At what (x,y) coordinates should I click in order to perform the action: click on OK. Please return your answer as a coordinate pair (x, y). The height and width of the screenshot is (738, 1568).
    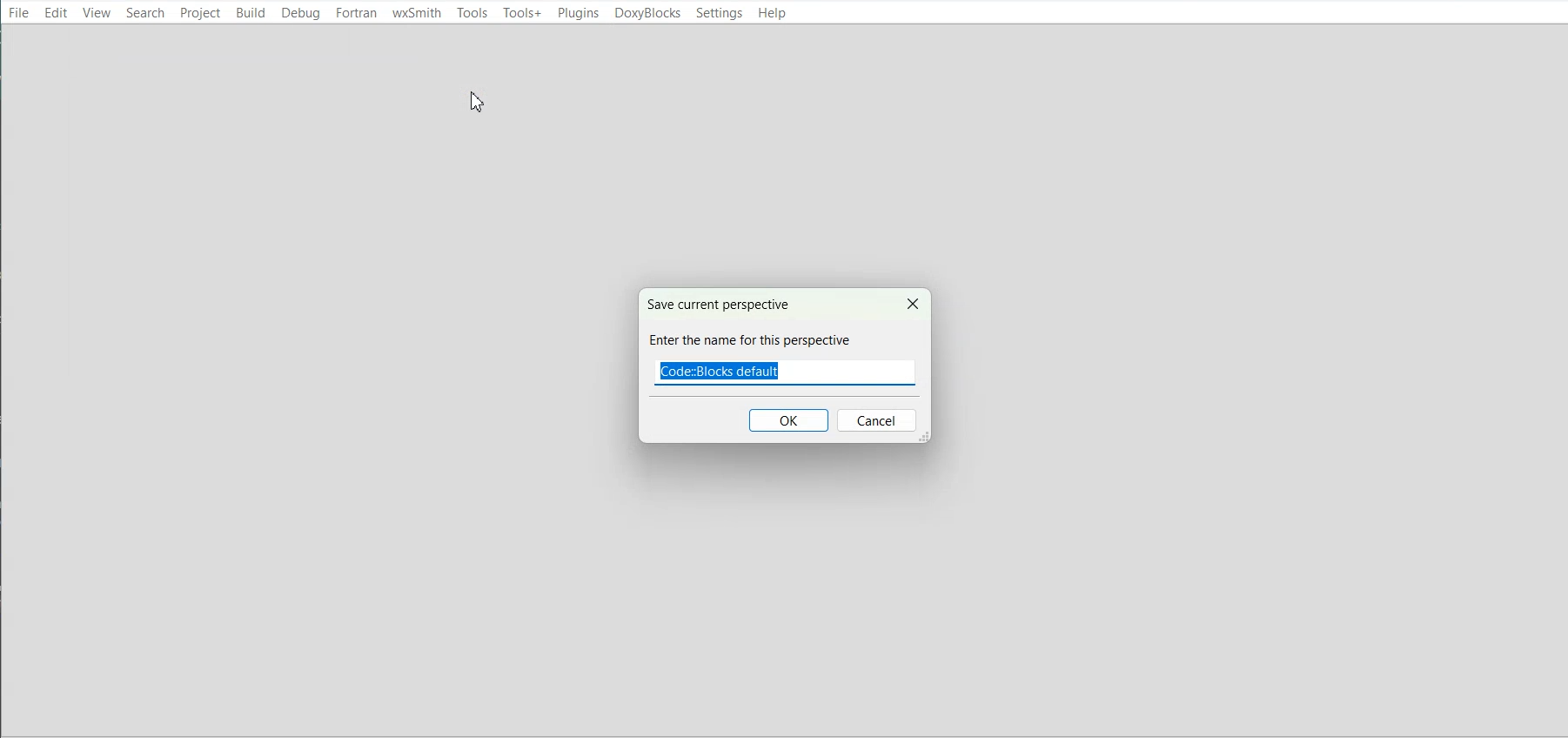
    Looking at the image, I should click on (789, 419).